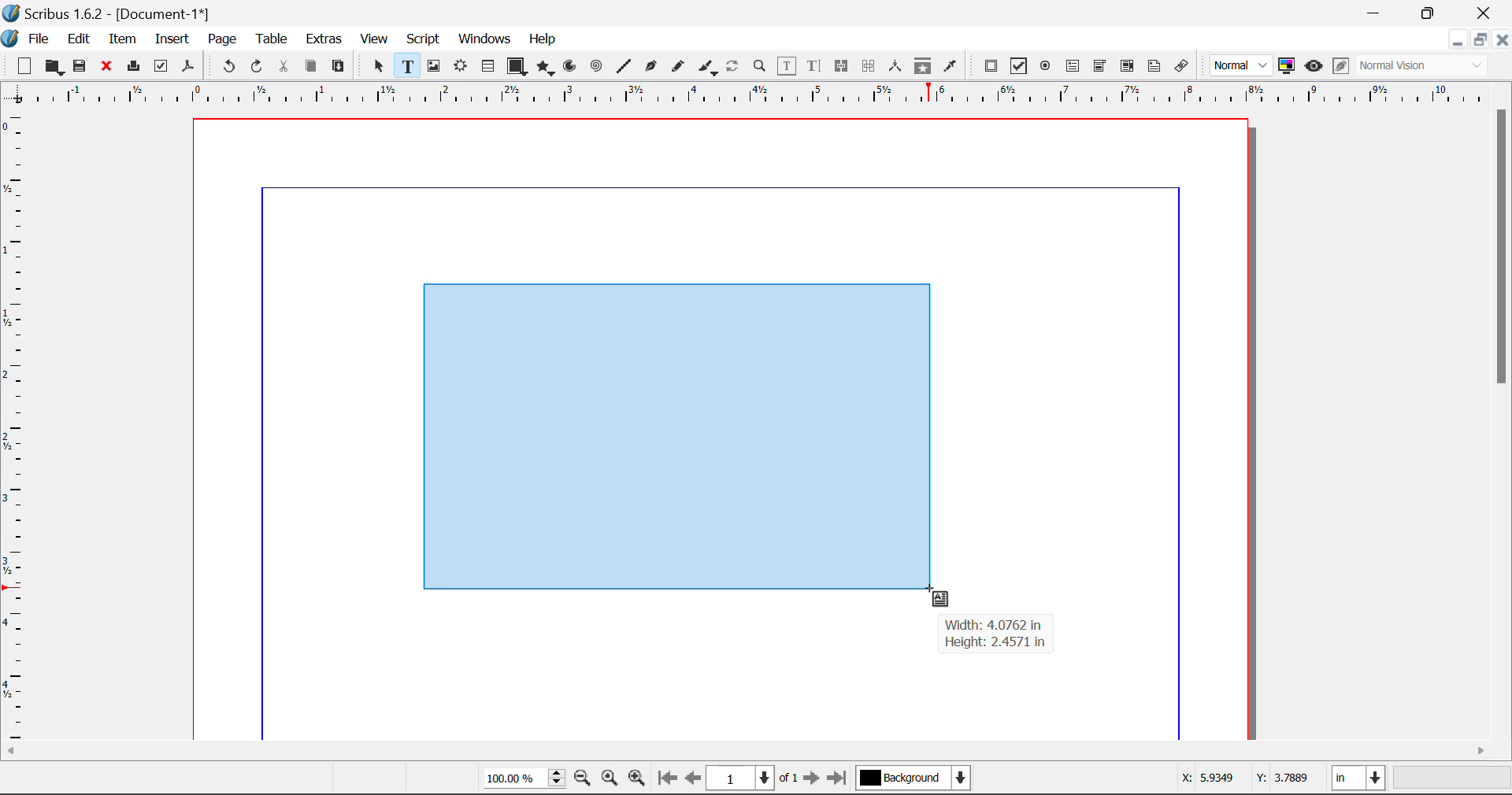 The image size is (1512, 795). I want to click on Zoom In, so click(637, 780).